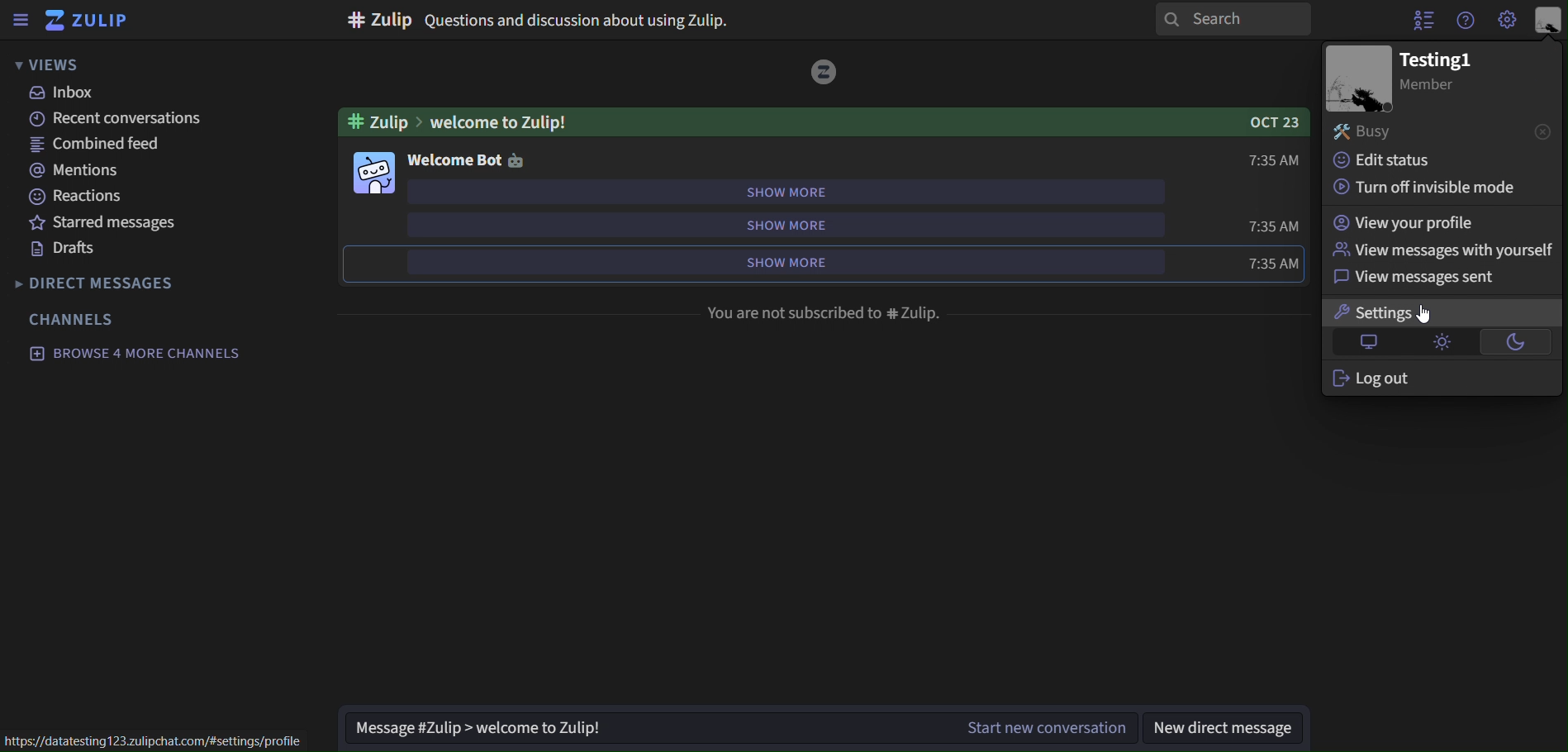 The height and width of the screenshot is (752, 1568). Describe the element at coordinates (1433, 312) in the screenshot. I see `cursor` at that location.